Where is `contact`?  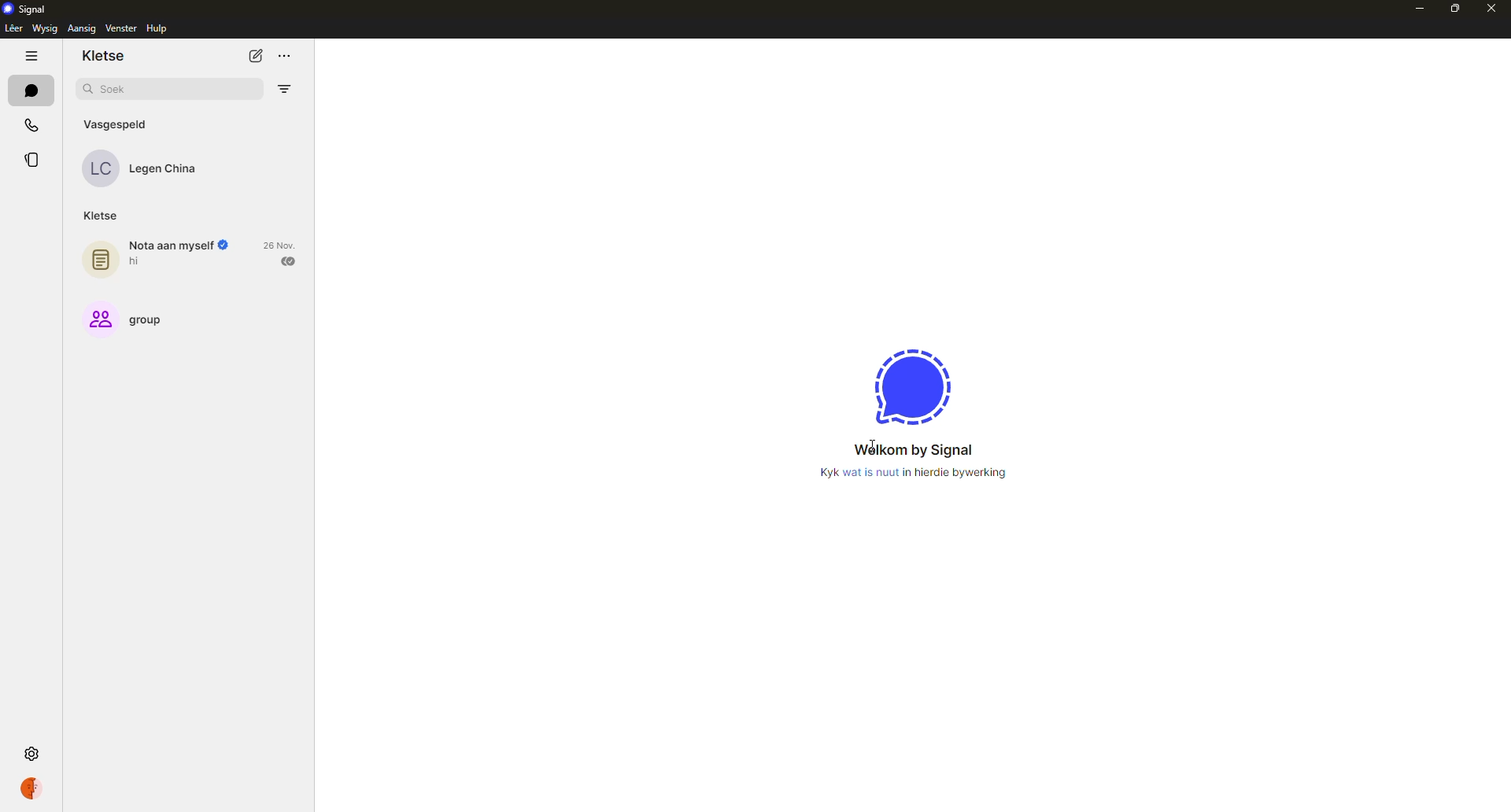 contact is located at coordinates (151, 168).